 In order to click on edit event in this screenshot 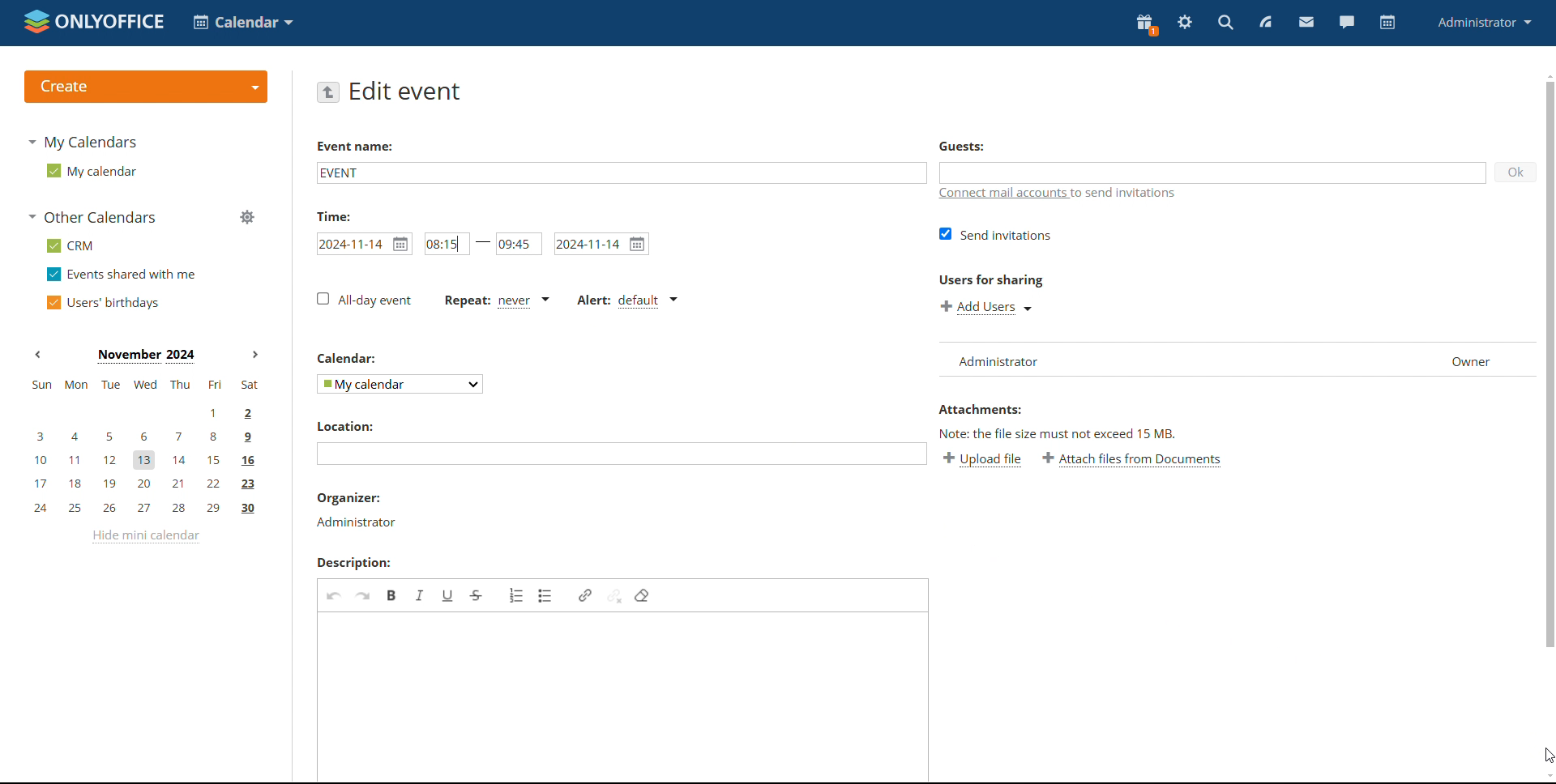, I will do `click(406, 92)`.